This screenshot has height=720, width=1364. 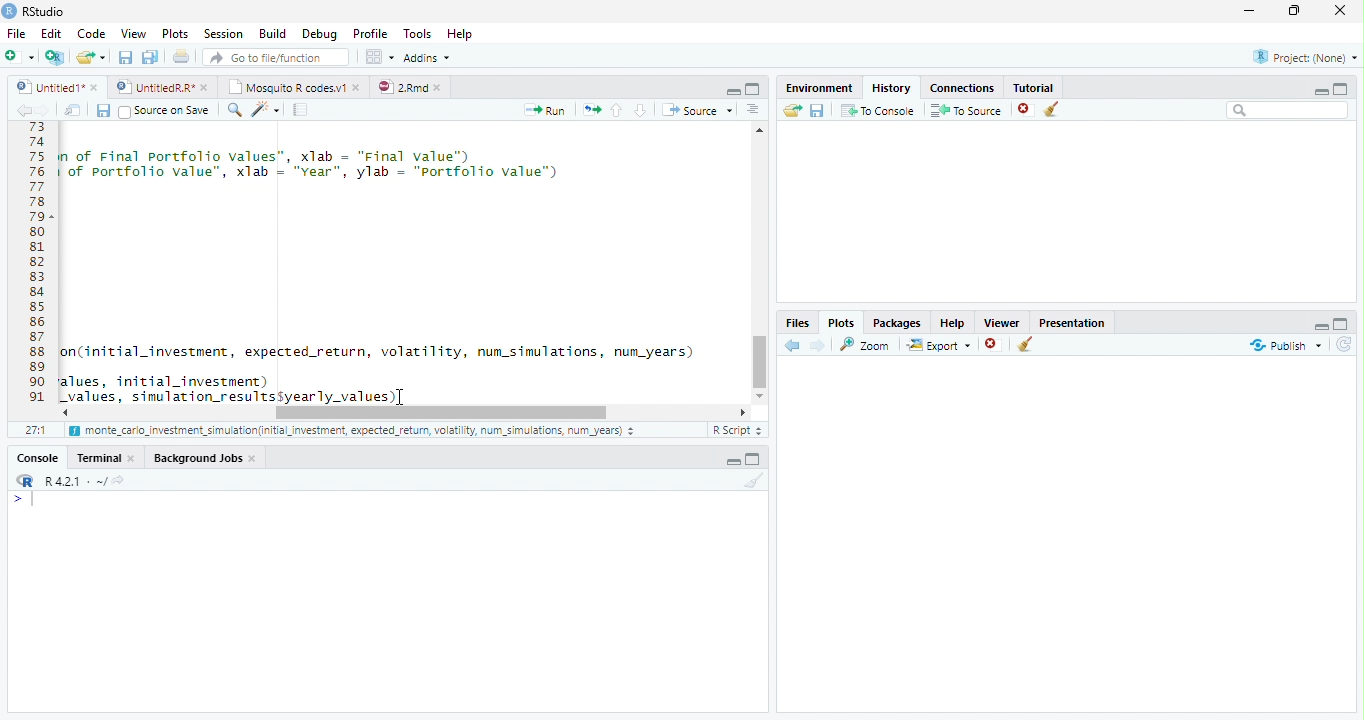 I want to click on Maximize, so click(x=1299, y=12).